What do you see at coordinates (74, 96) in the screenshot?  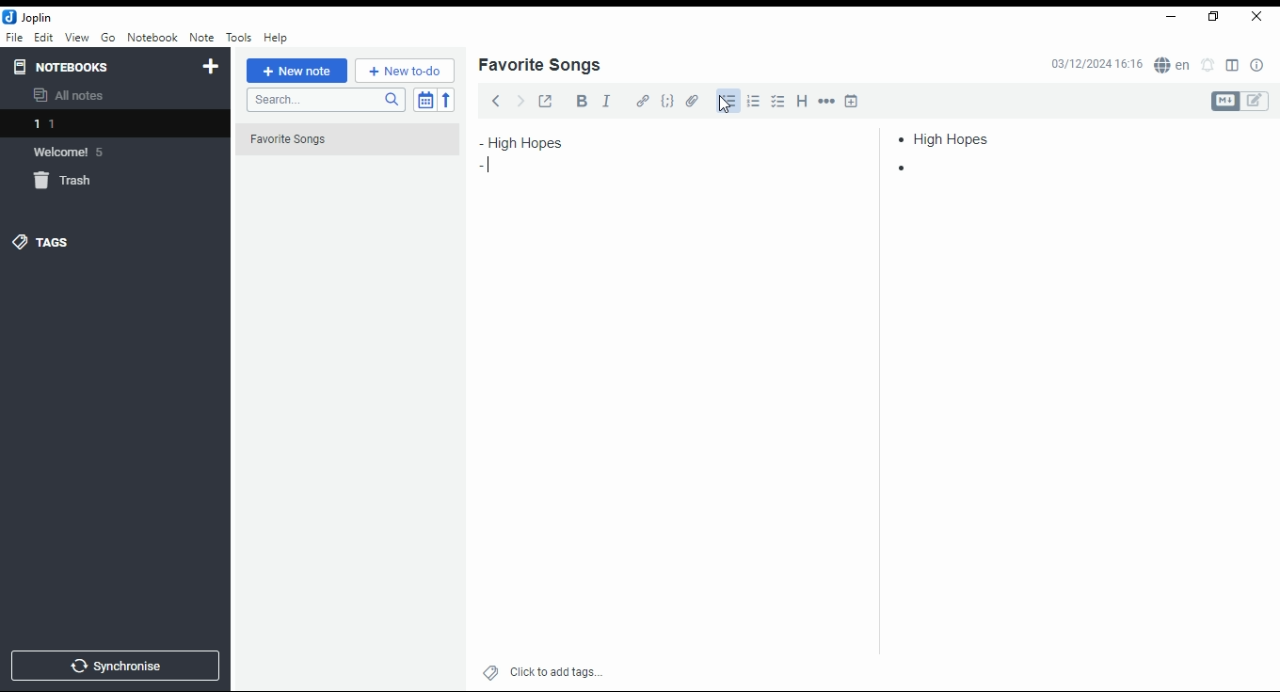 I see `all notes` at bounding box center [74, 96].